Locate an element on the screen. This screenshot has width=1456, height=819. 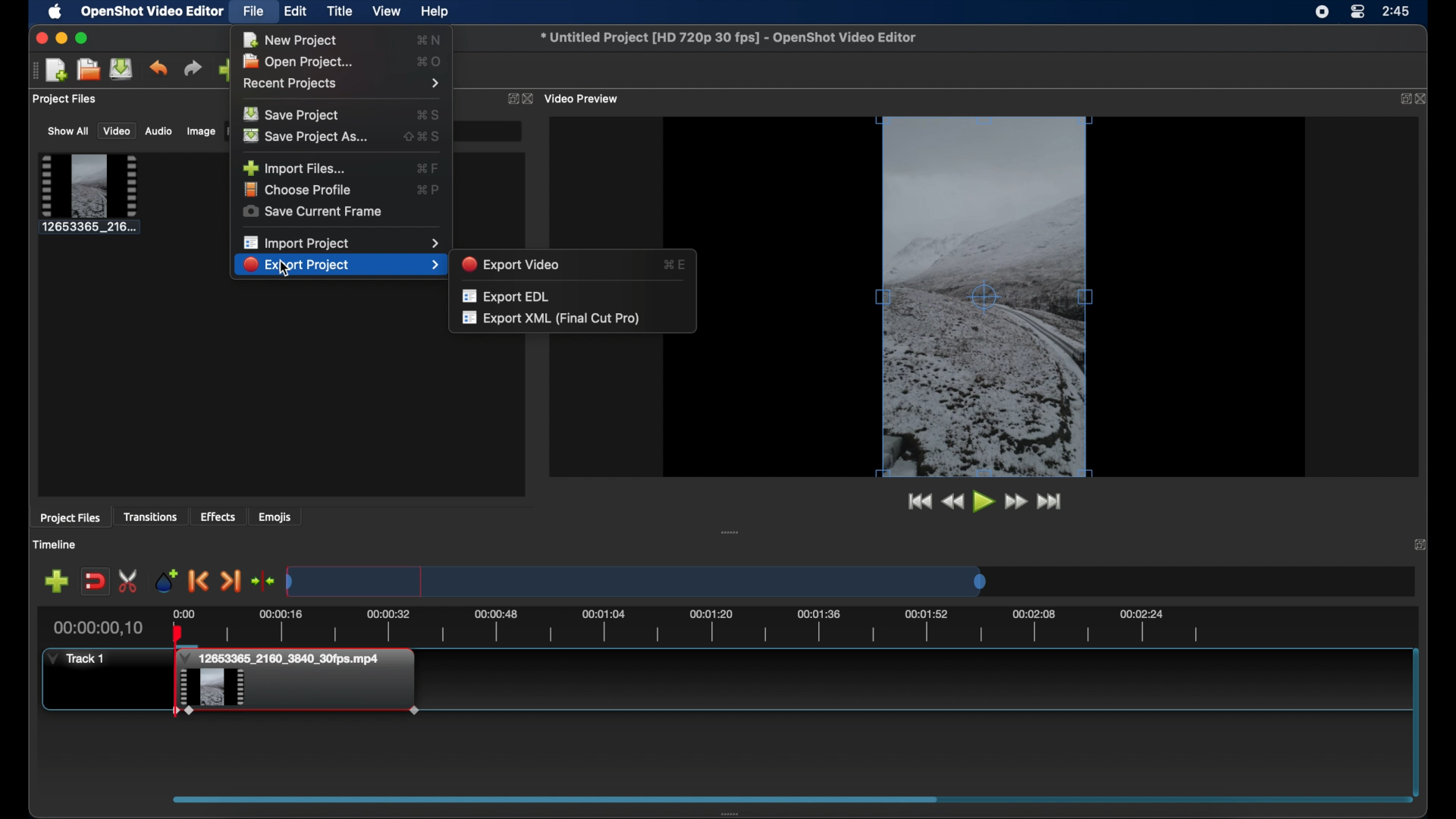
track is located at coordinates (77, 657).